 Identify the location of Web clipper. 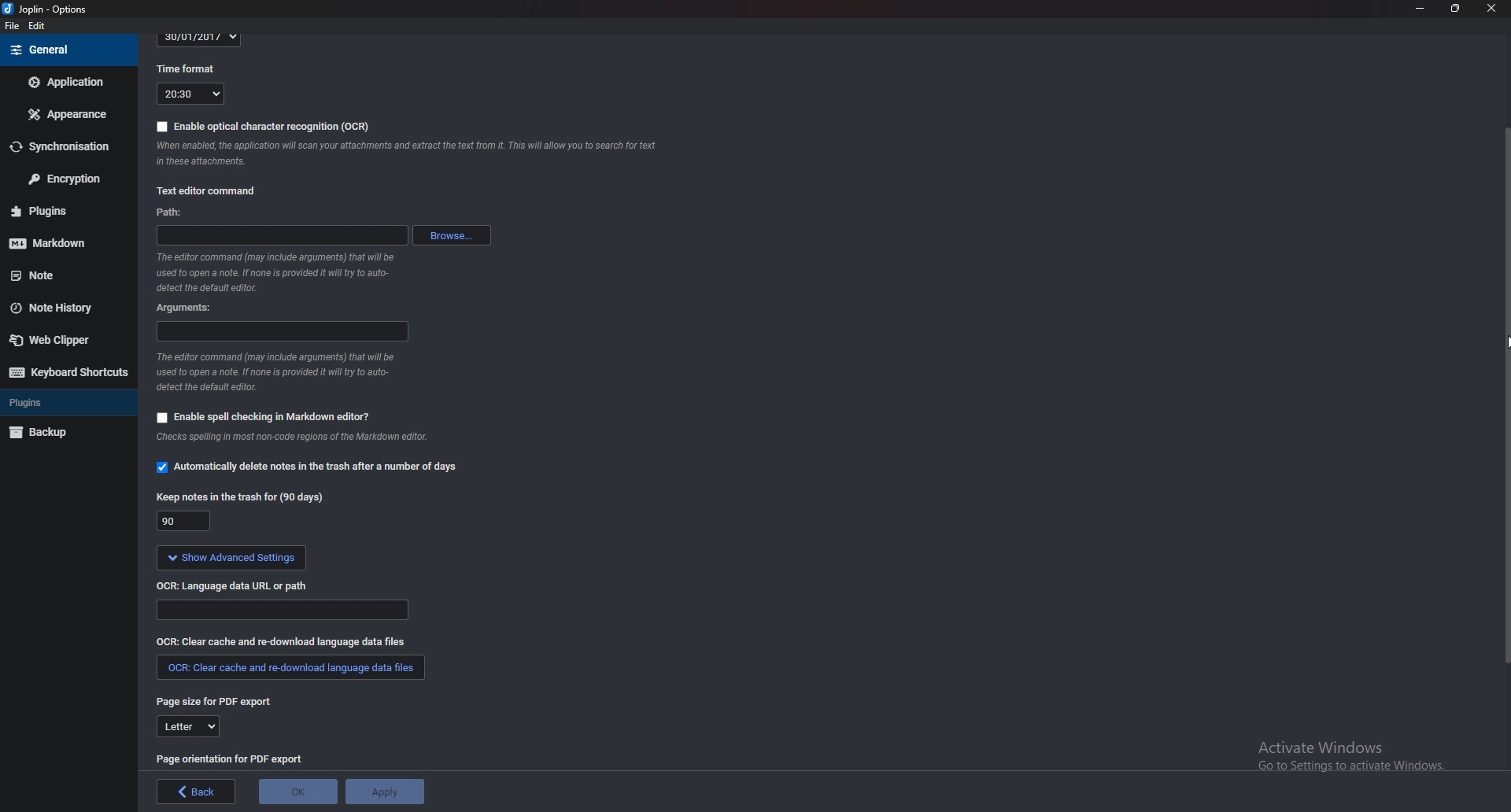
(62, 340).